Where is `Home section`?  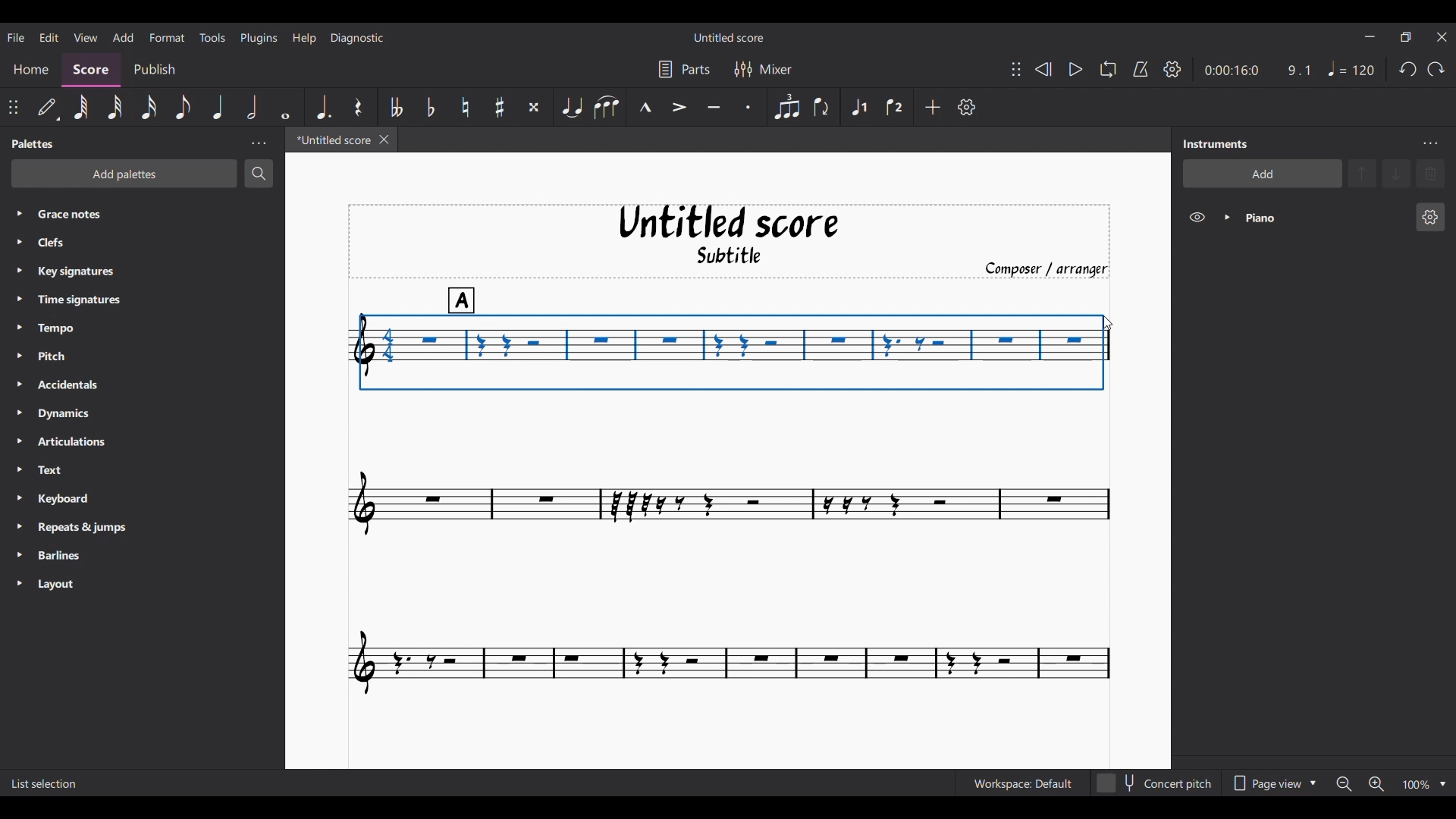
Home section is located at coordinates (32, 67).